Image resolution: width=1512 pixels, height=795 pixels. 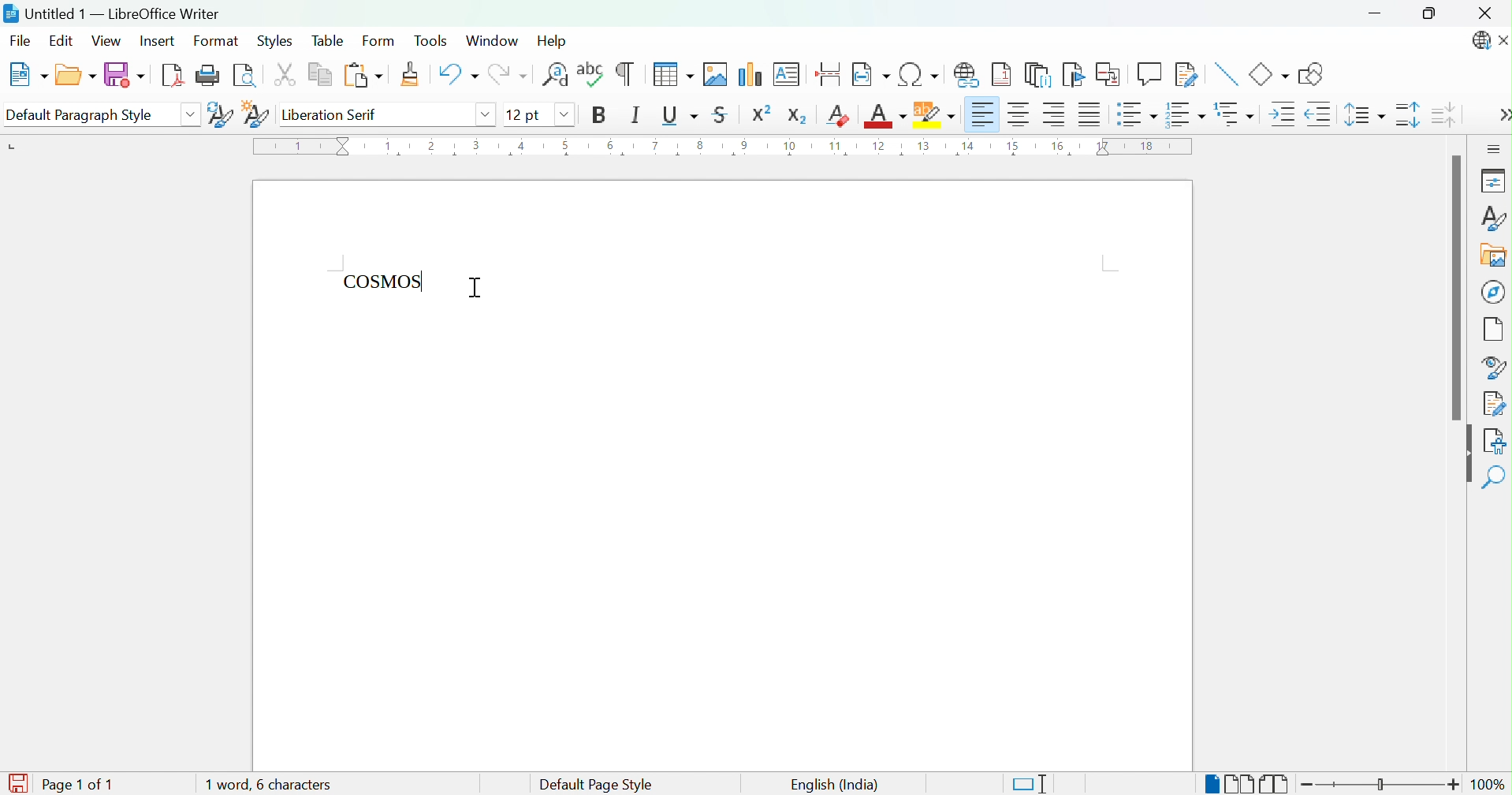 What do you see at coordinates (1408, 116) in the screenshot?
I see `Increase Paragraph Spacing` at bounding box center [1408, 116].